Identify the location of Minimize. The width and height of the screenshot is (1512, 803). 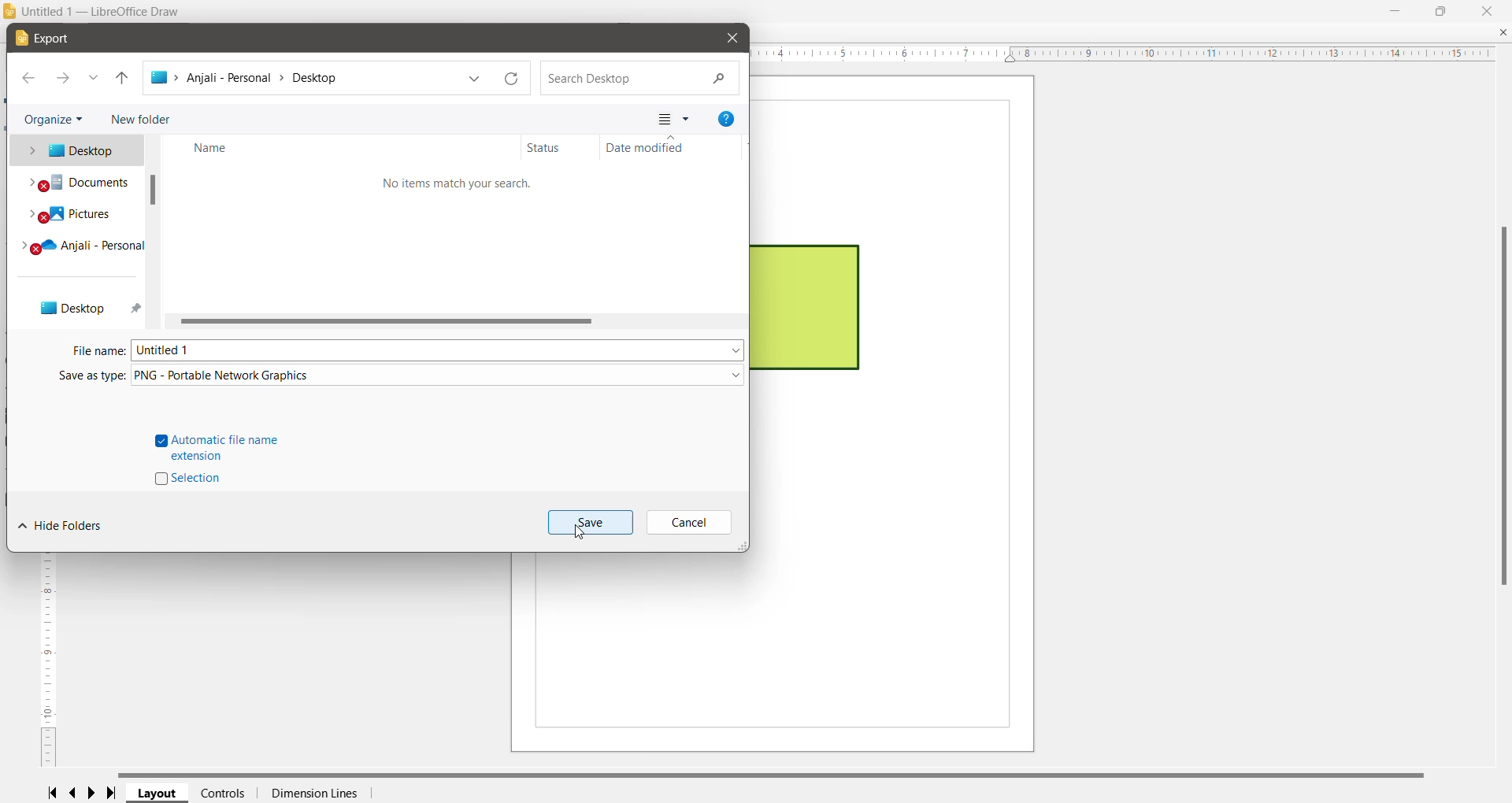
(1395, 9).